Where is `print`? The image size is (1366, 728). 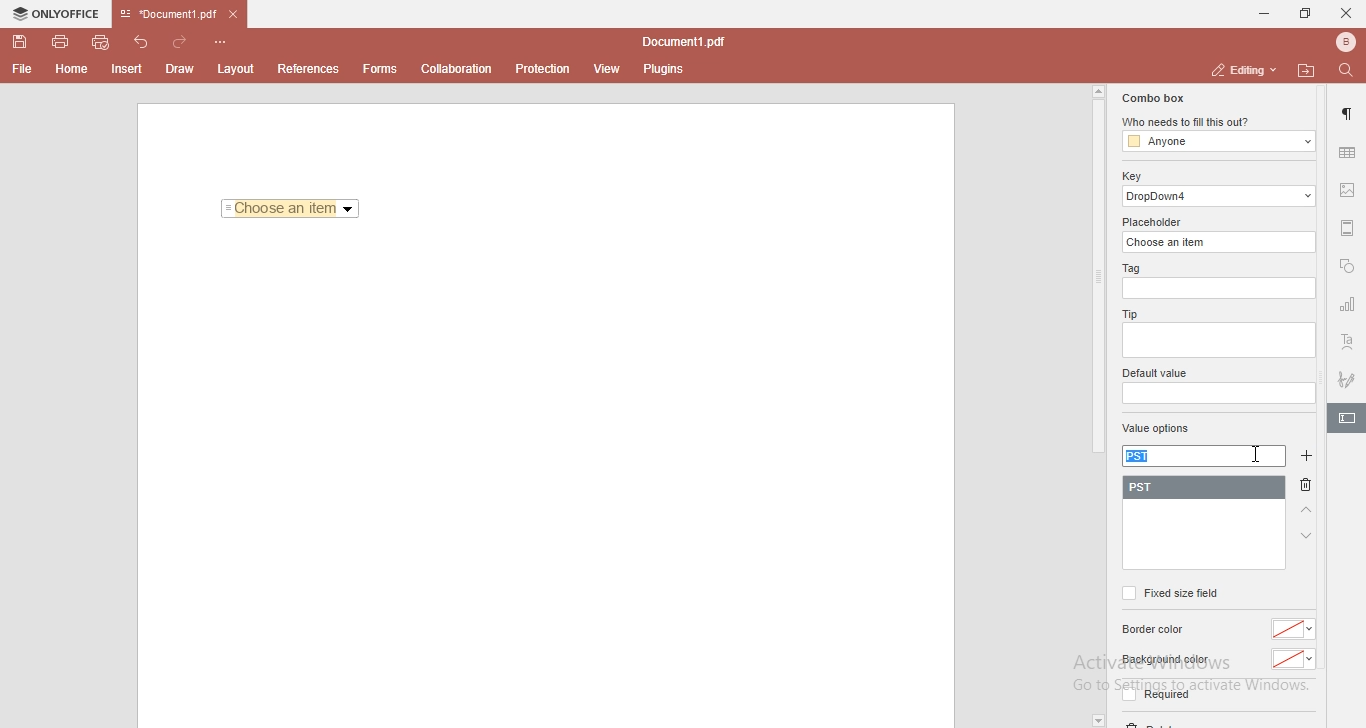
print is located at coordinates (59, 40).